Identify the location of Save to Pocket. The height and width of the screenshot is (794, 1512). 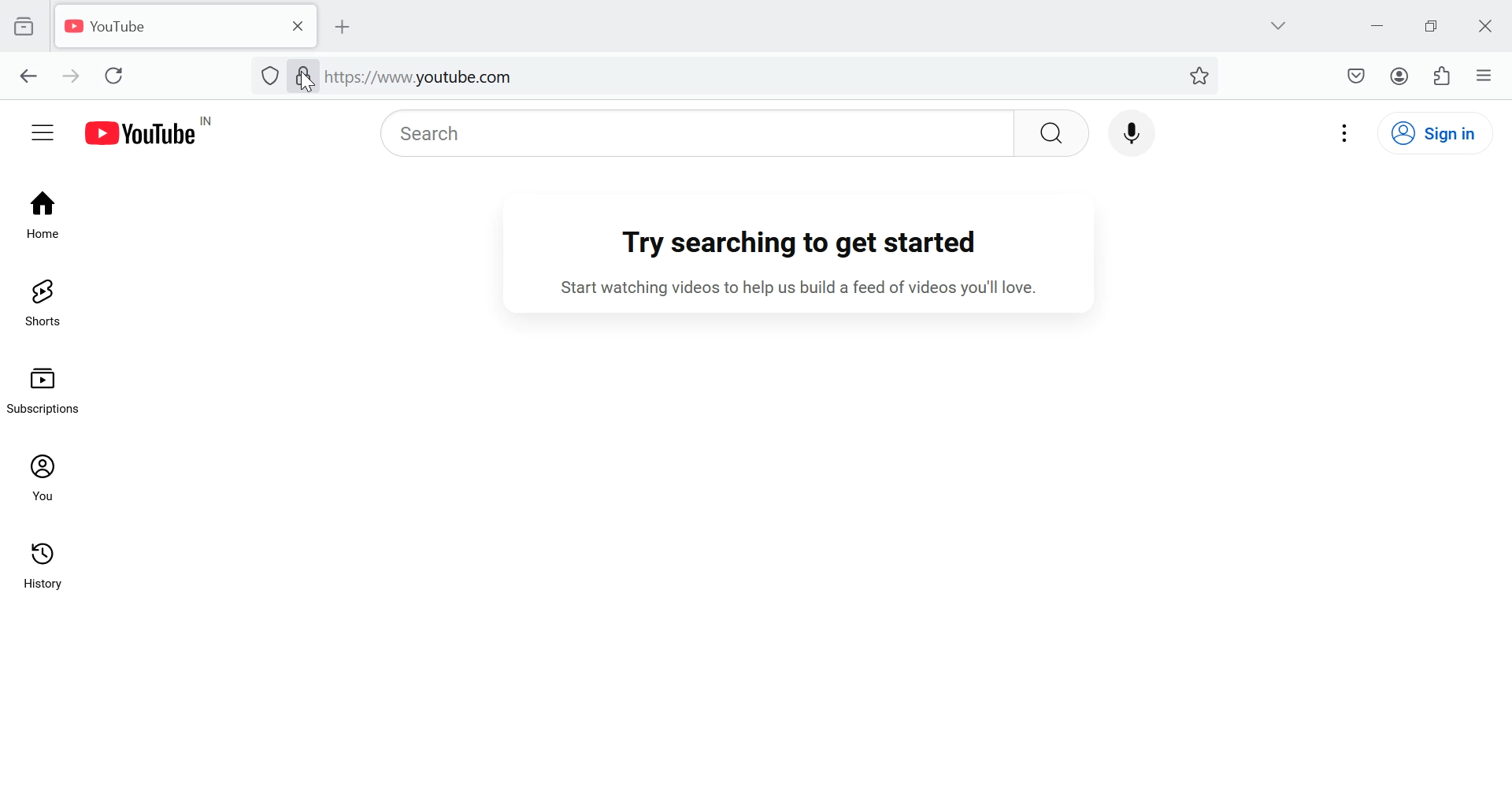
(1355, 76).